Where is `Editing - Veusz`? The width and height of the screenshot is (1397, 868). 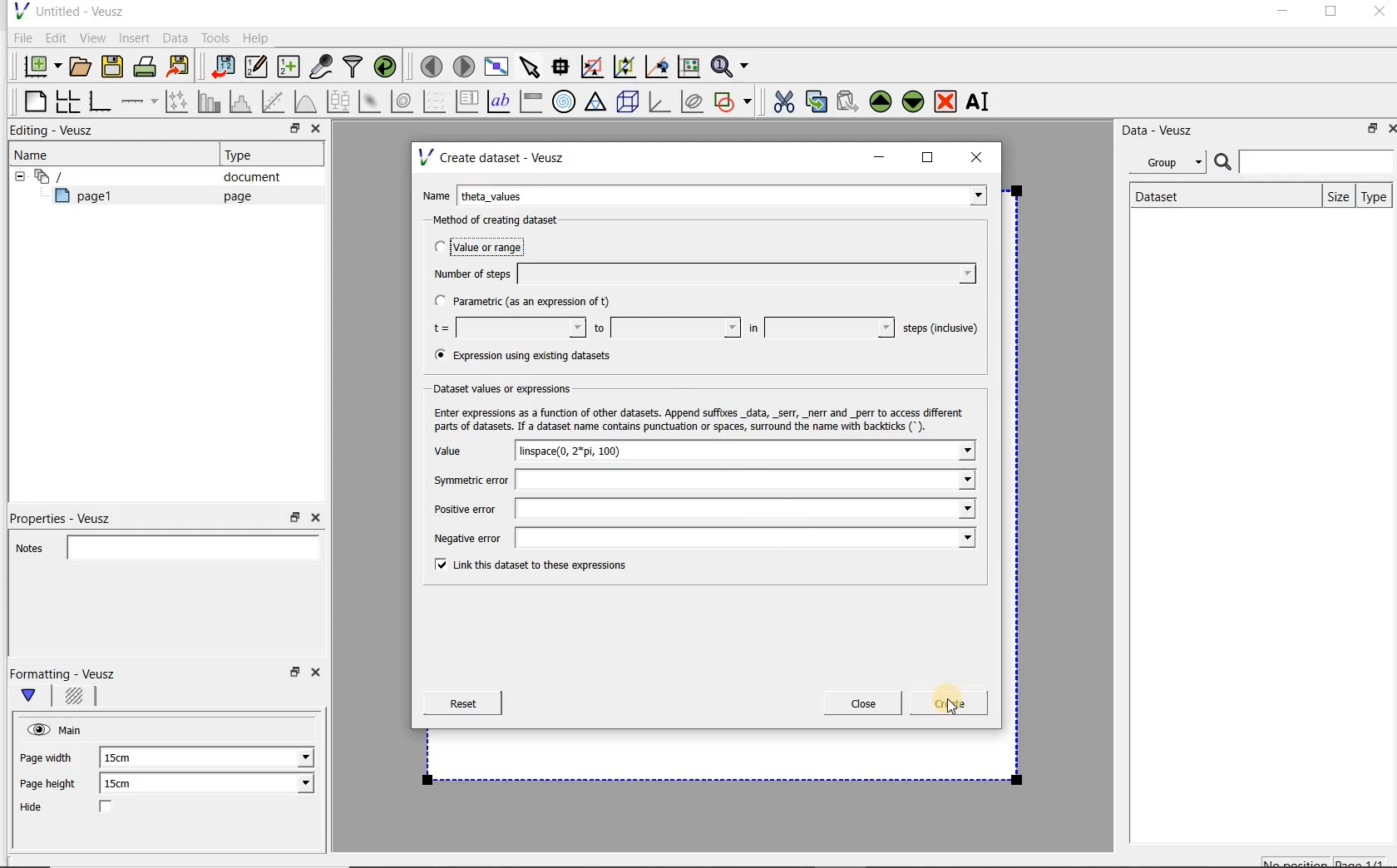
Editing - Veusz is located at coordinates (56, 131).